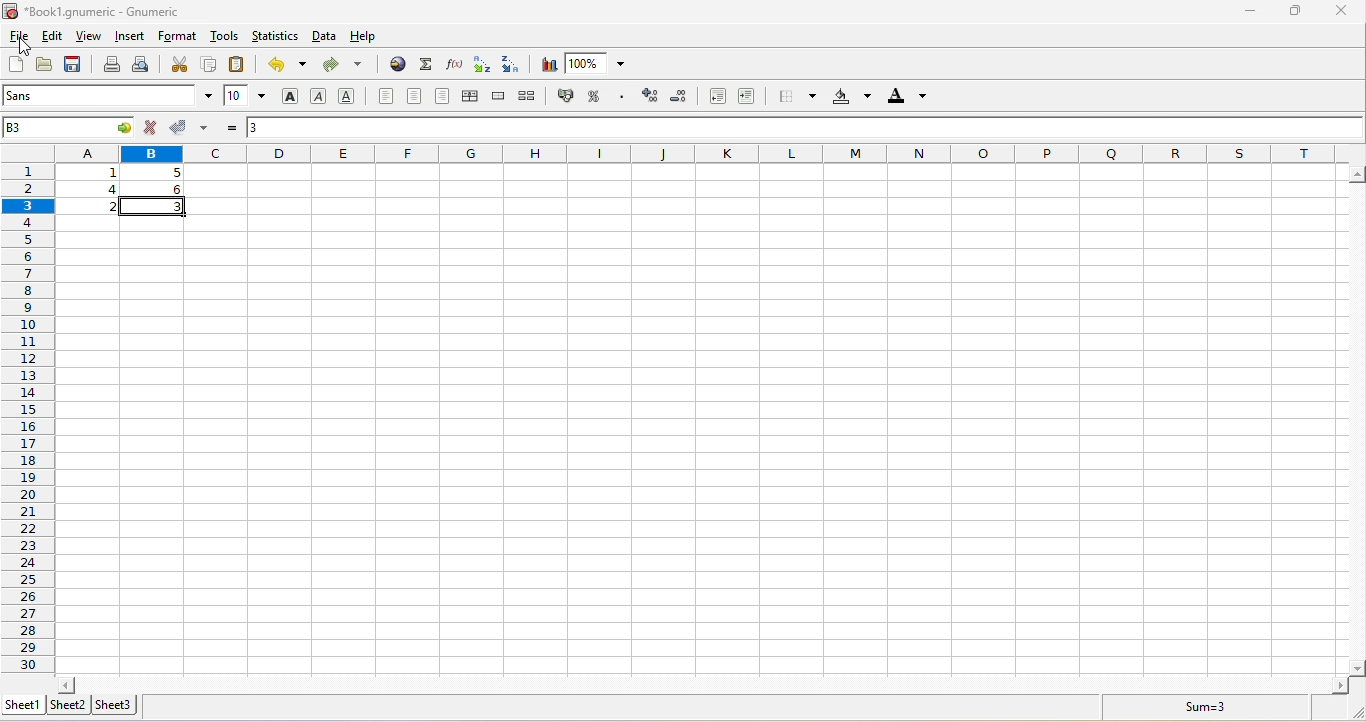  What do you see at coordinates (416, 95) in the screenshot?
I see `center` at bounding box center [416, 95].